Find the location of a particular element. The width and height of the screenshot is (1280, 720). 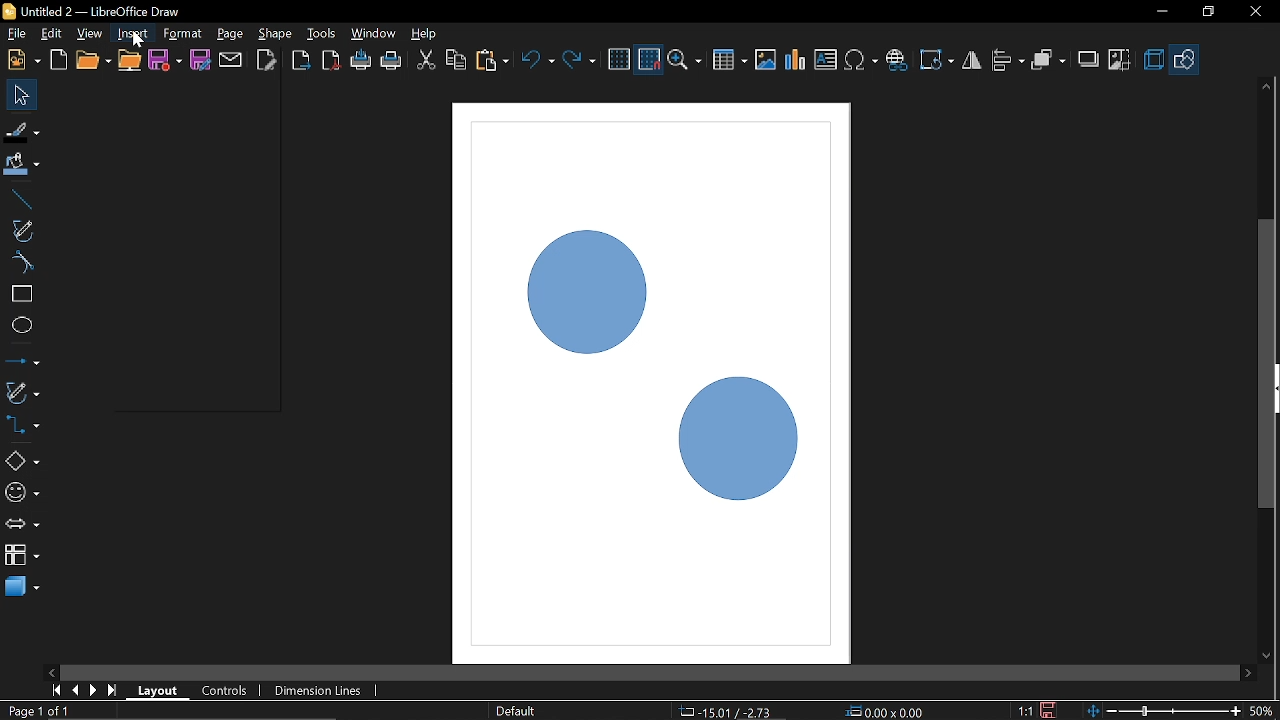

Tools is located at coordinates (322, 32).